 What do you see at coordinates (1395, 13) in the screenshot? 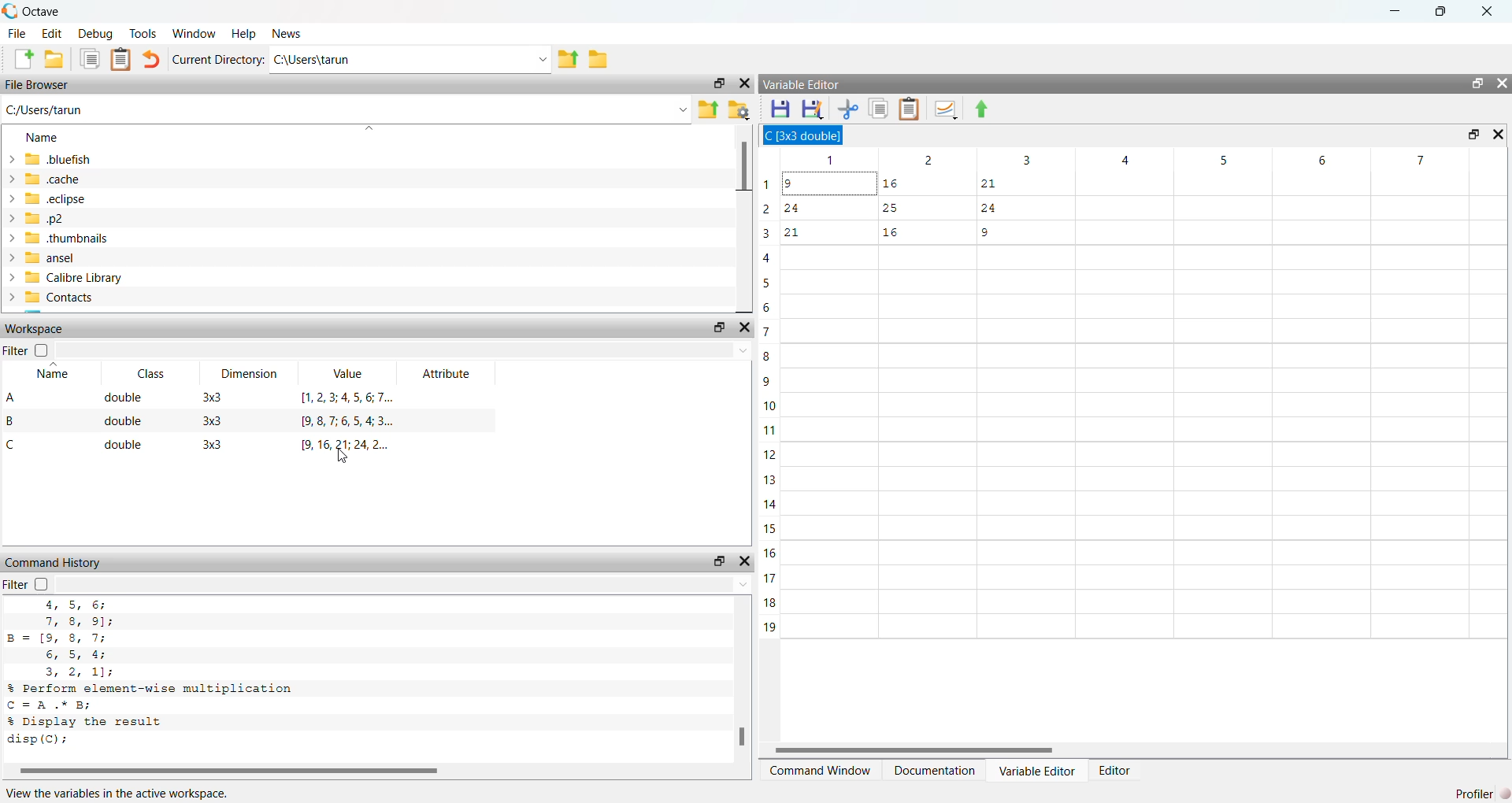
I see `minimize` at bounding box center [1395, 13].